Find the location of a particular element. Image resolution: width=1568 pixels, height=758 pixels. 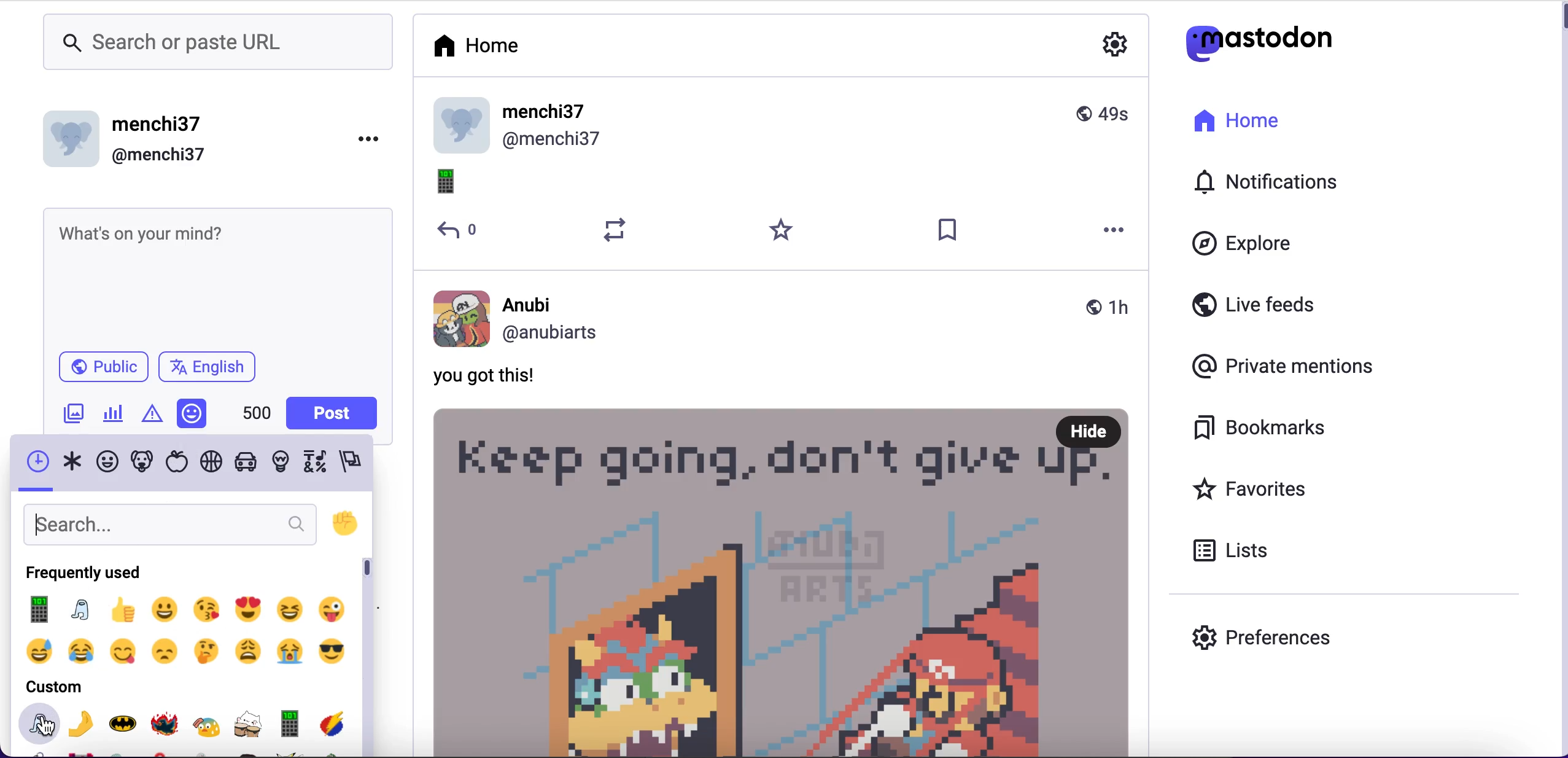

preferences is located at coordinates (1267, 638).